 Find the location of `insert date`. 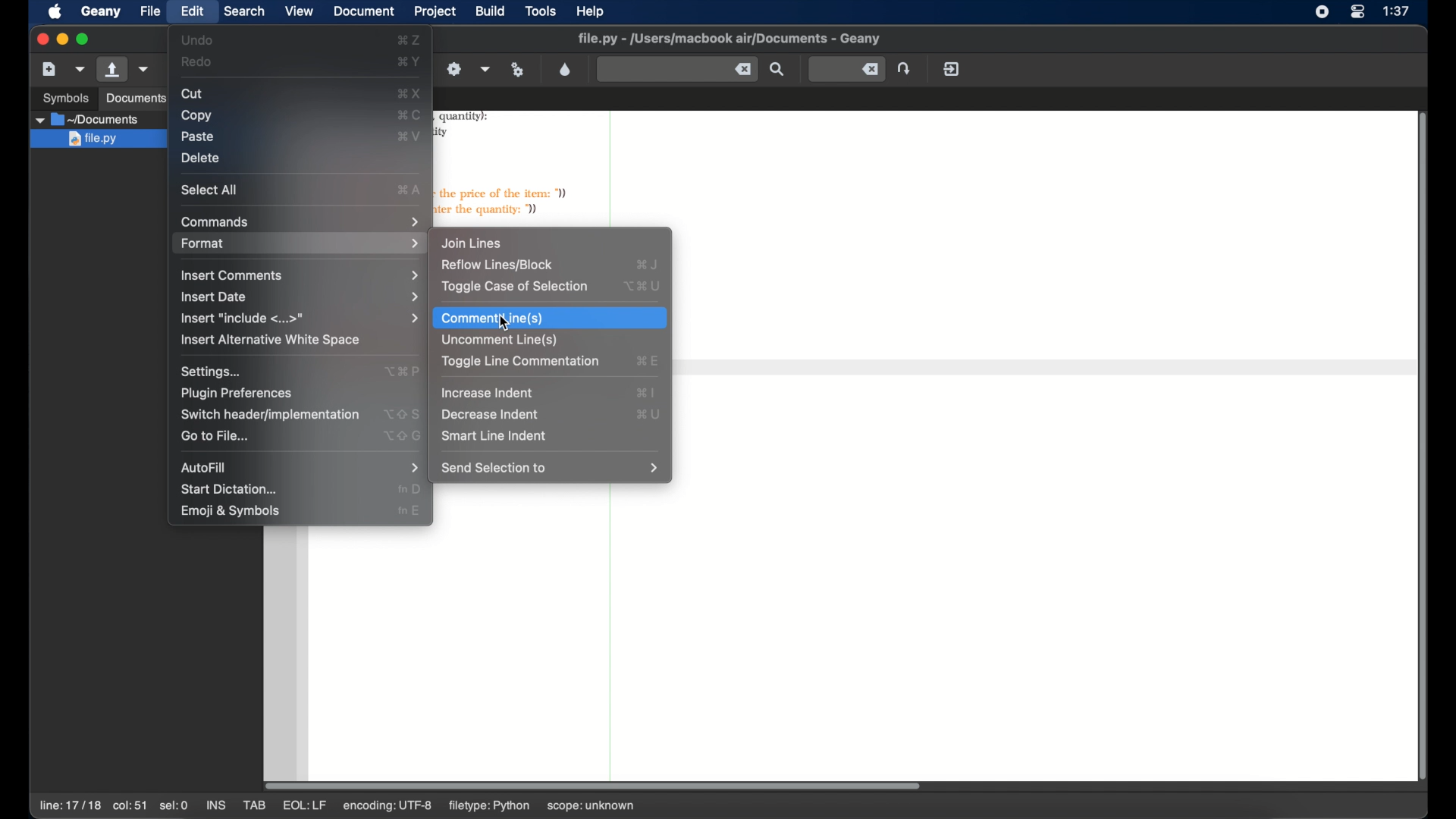

insert date is located at coordinates (300, 297).